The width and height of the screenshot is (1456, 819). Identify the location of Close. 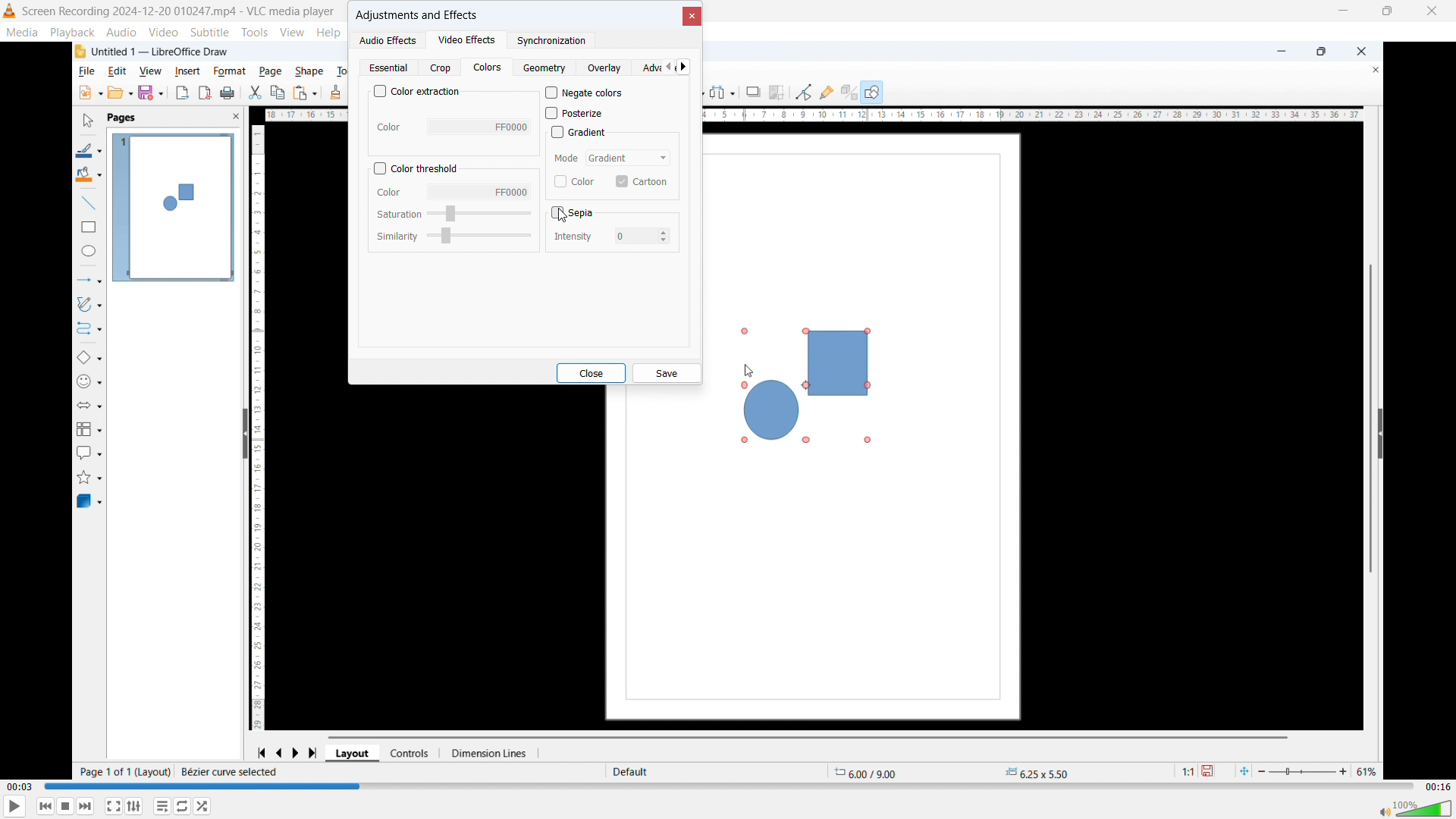
(1435, 11).